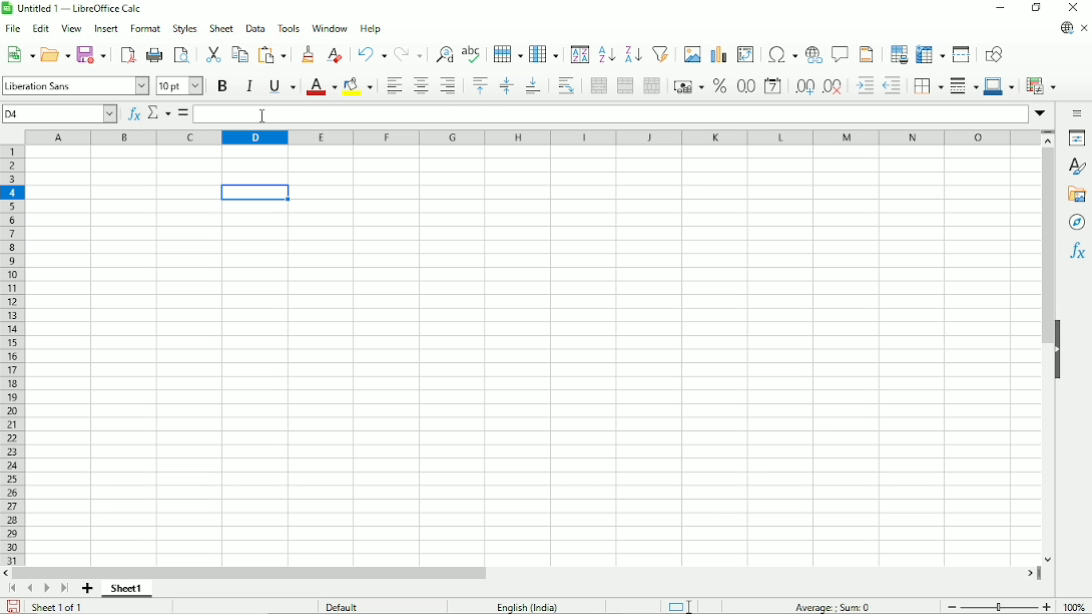 The width and height of the screenshot is (1092, 614). I want to click on Format as percent, so click(721, 86).